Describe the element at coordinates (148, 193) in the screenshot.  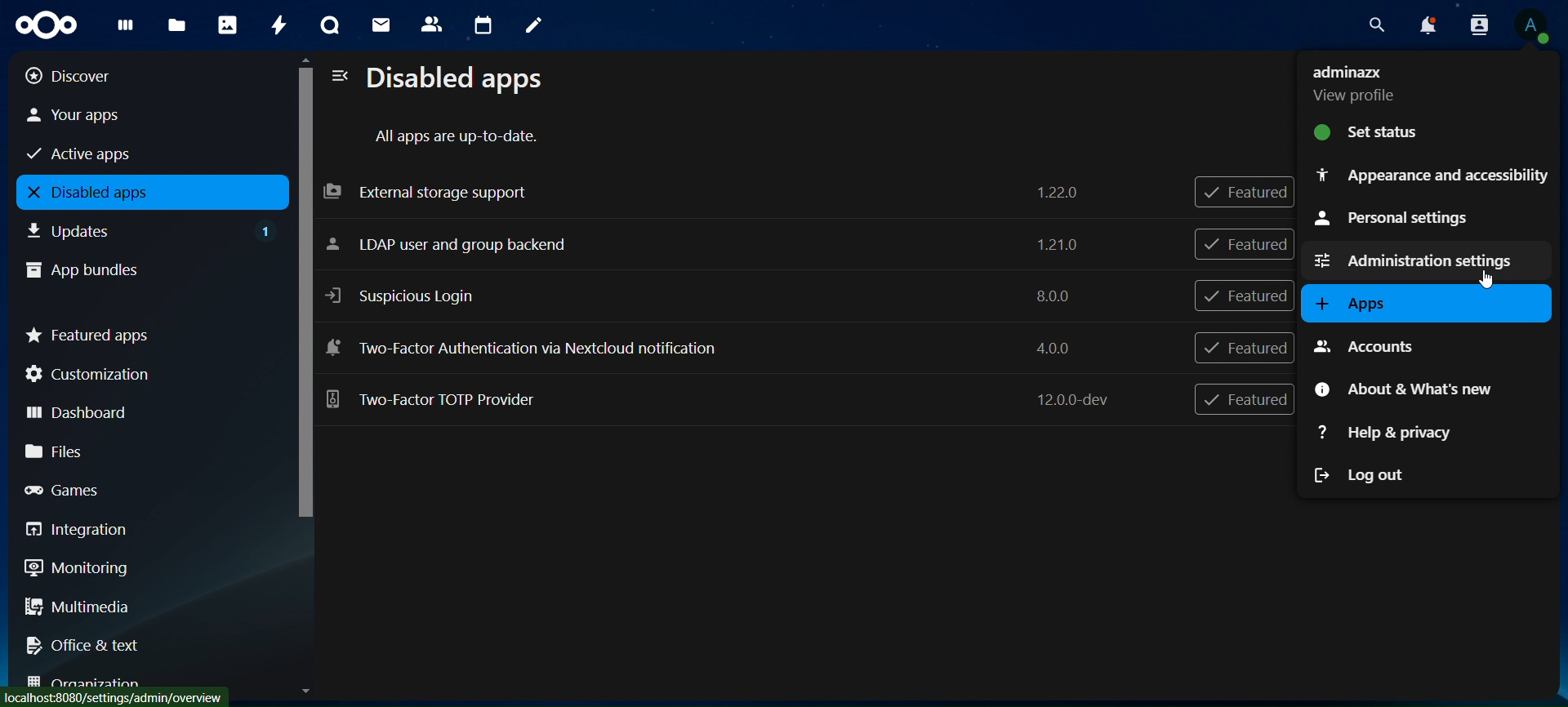
I see `disabled apps` at that location.